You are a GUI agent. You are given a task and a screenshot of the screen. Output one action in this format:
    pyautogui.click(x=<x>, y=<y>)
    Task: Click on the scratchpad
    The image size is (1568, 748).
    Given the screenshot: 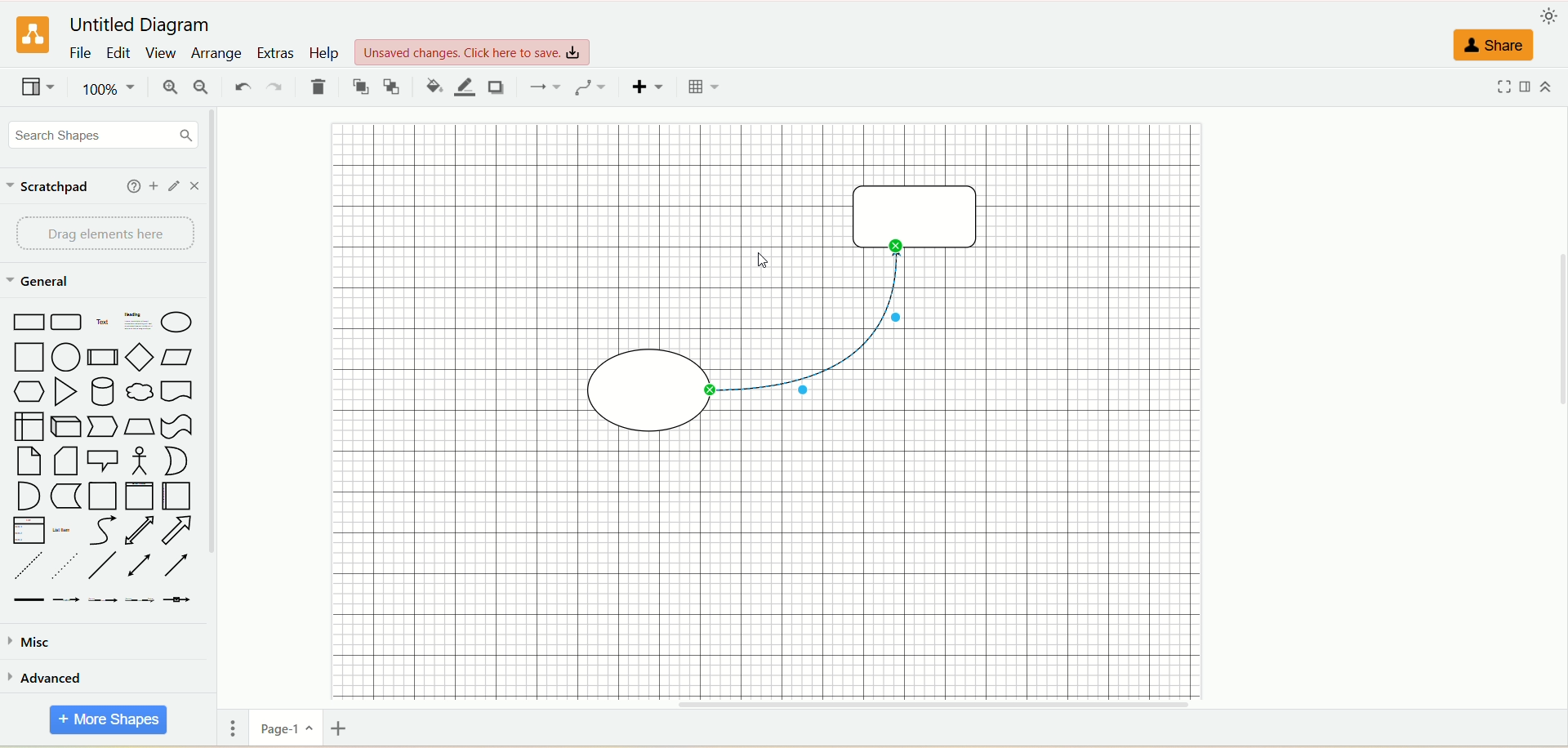 What is the action you would take?
    pyautogui.click(x=52, y=188)
    